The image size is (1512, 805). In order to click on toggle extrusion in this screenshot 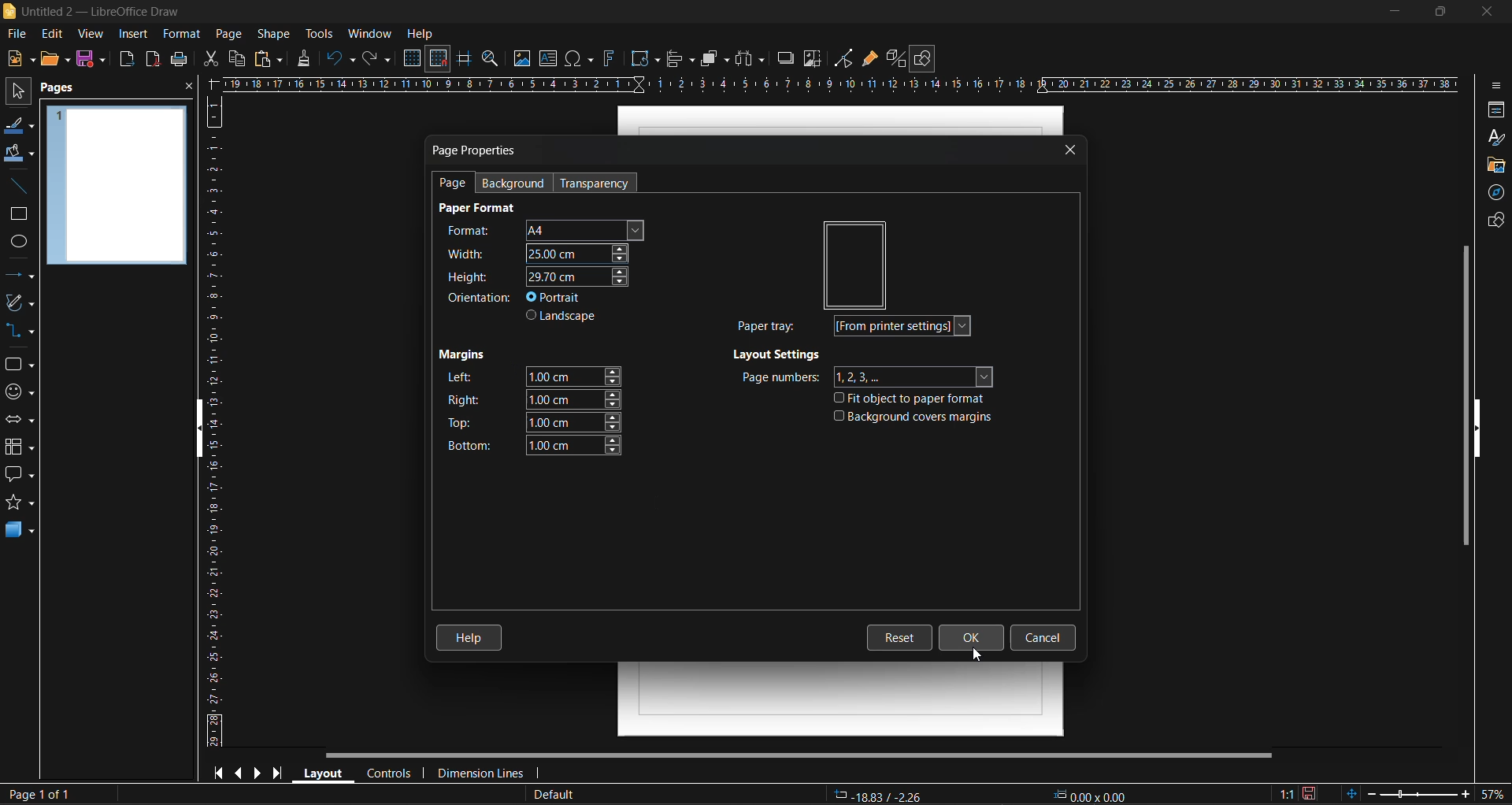, I will do `click(898, 58)`.